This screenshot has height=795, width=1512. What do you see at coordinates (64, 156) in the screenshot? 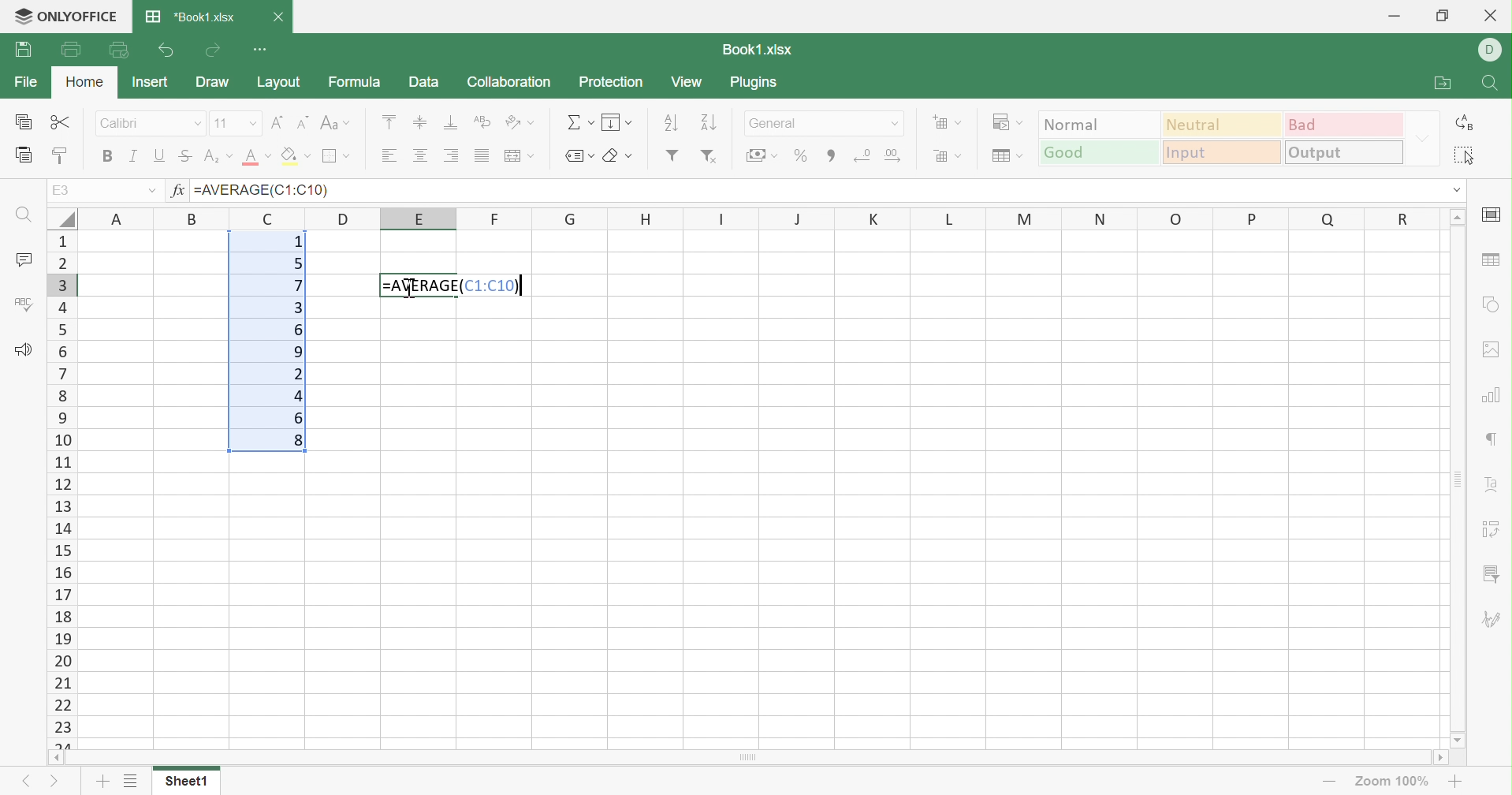
I see `Copy style` at bounding box center [64, 156].